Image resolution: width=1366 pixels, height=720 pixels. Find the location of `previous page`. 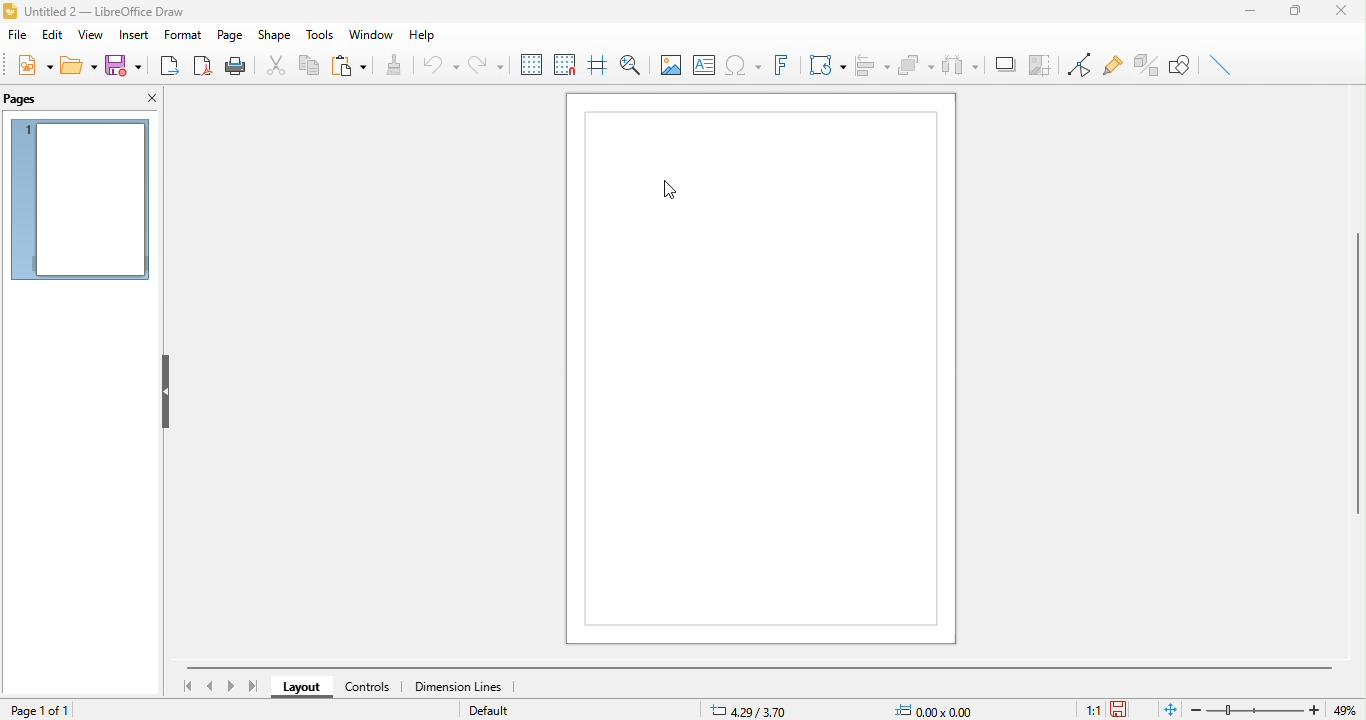

previous page is located at coordinates (210, 686).